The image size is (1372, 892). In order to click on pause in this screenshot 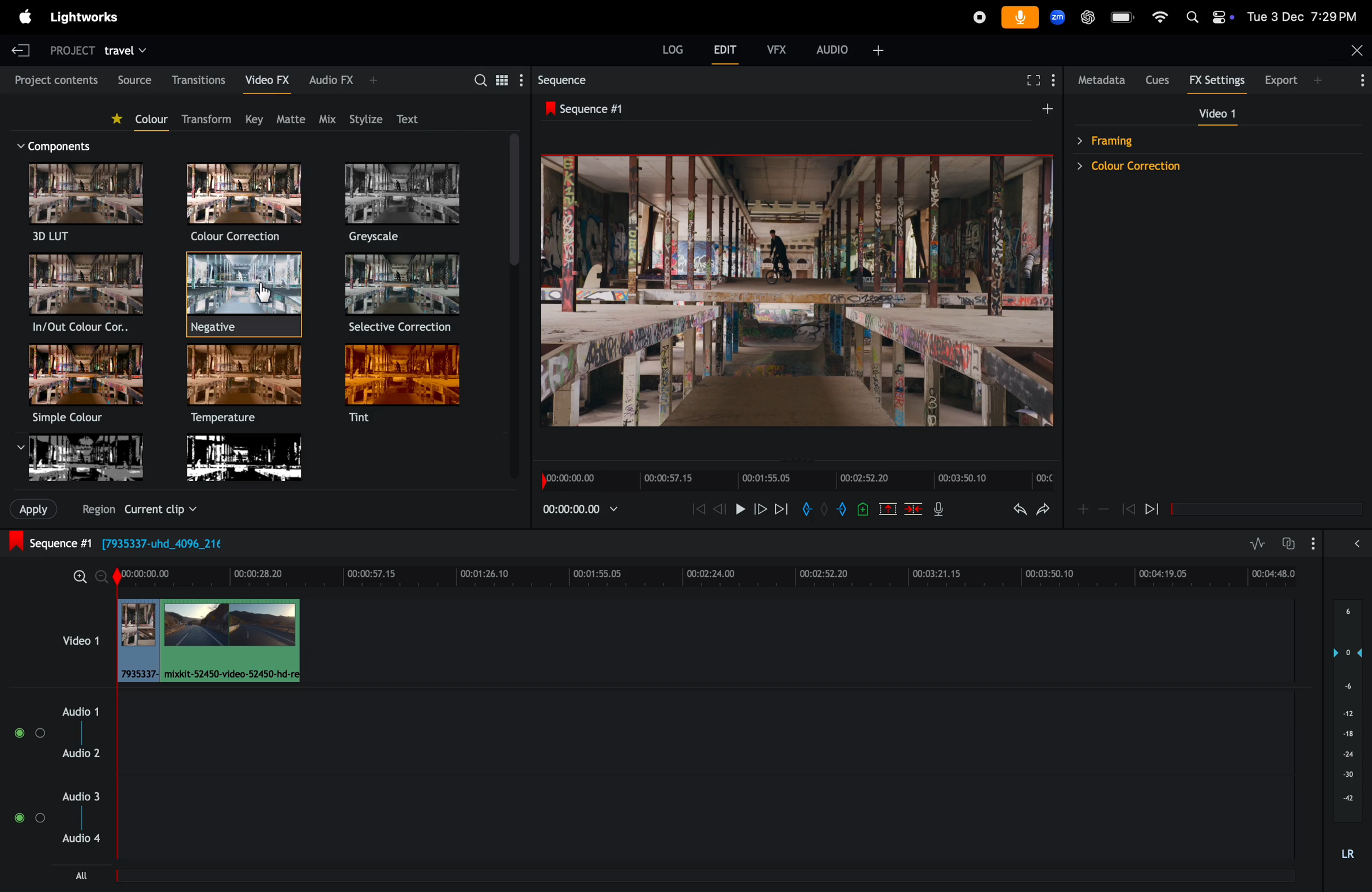, I will do `click(738, 509)`.